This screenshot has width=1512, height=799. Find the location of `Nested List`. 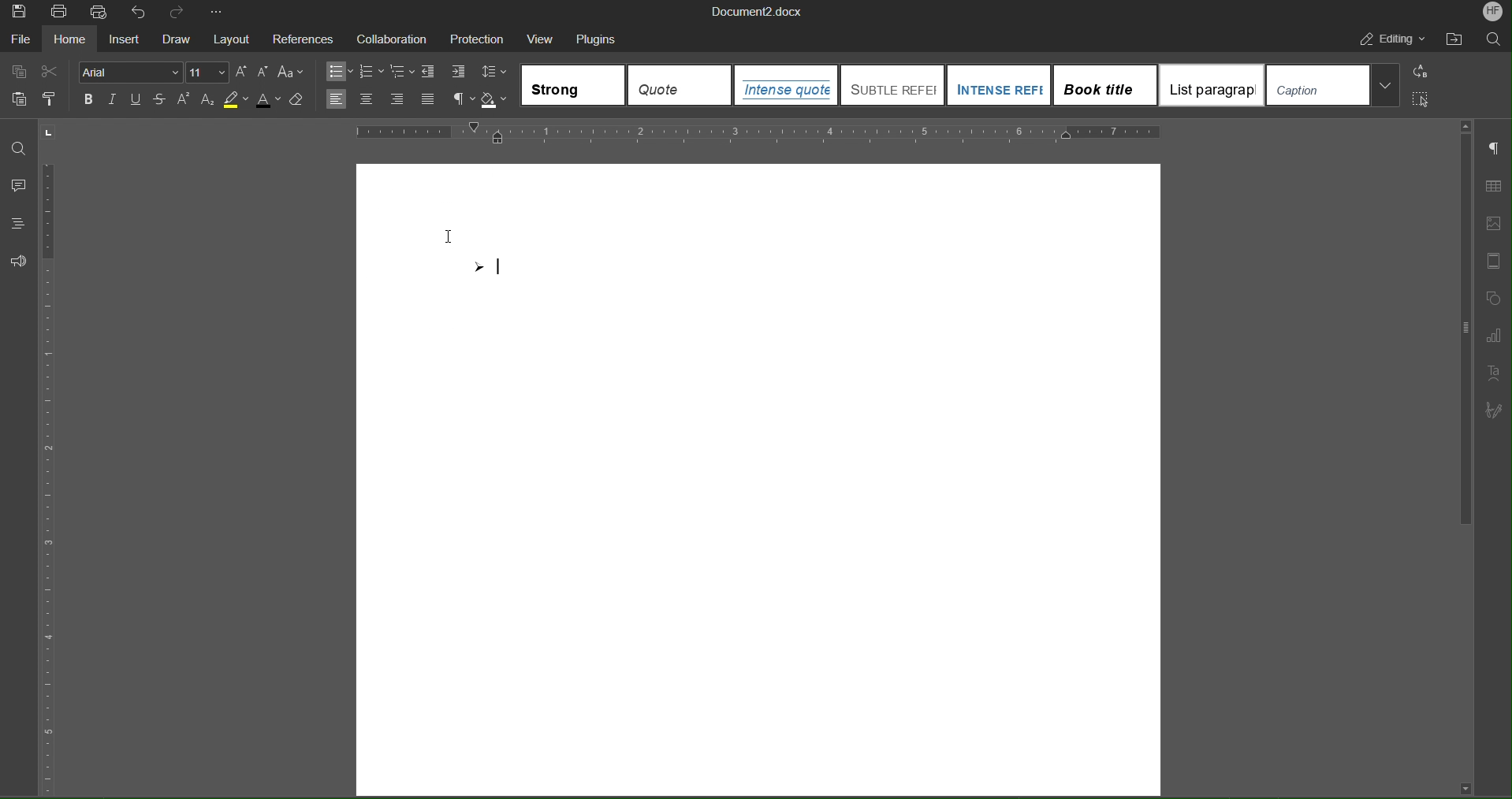

Nested List is located at coordinates (403, 70).